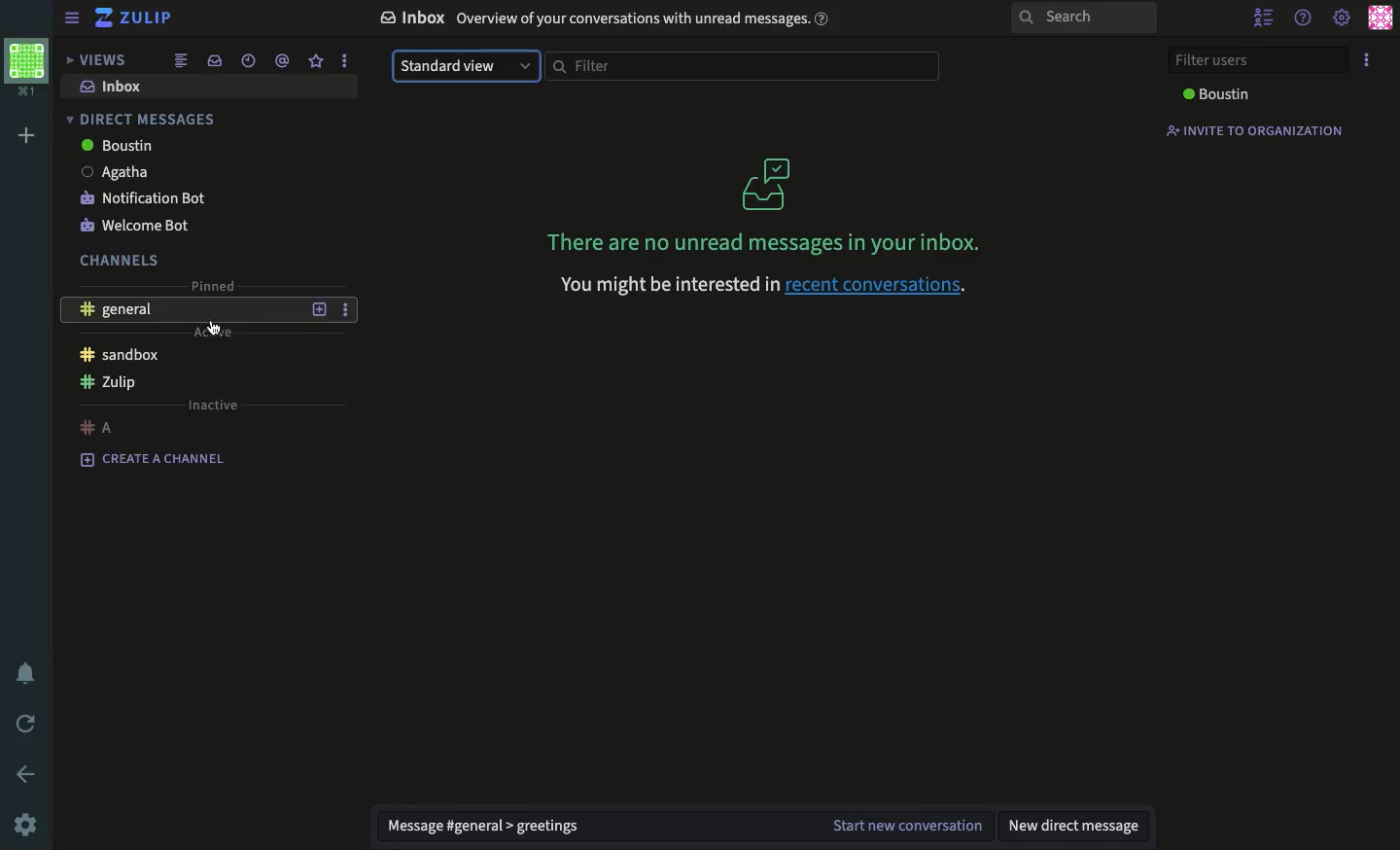 The width and height of the screenshot is (1400, 850). I want to click on options, so click(341, 61).